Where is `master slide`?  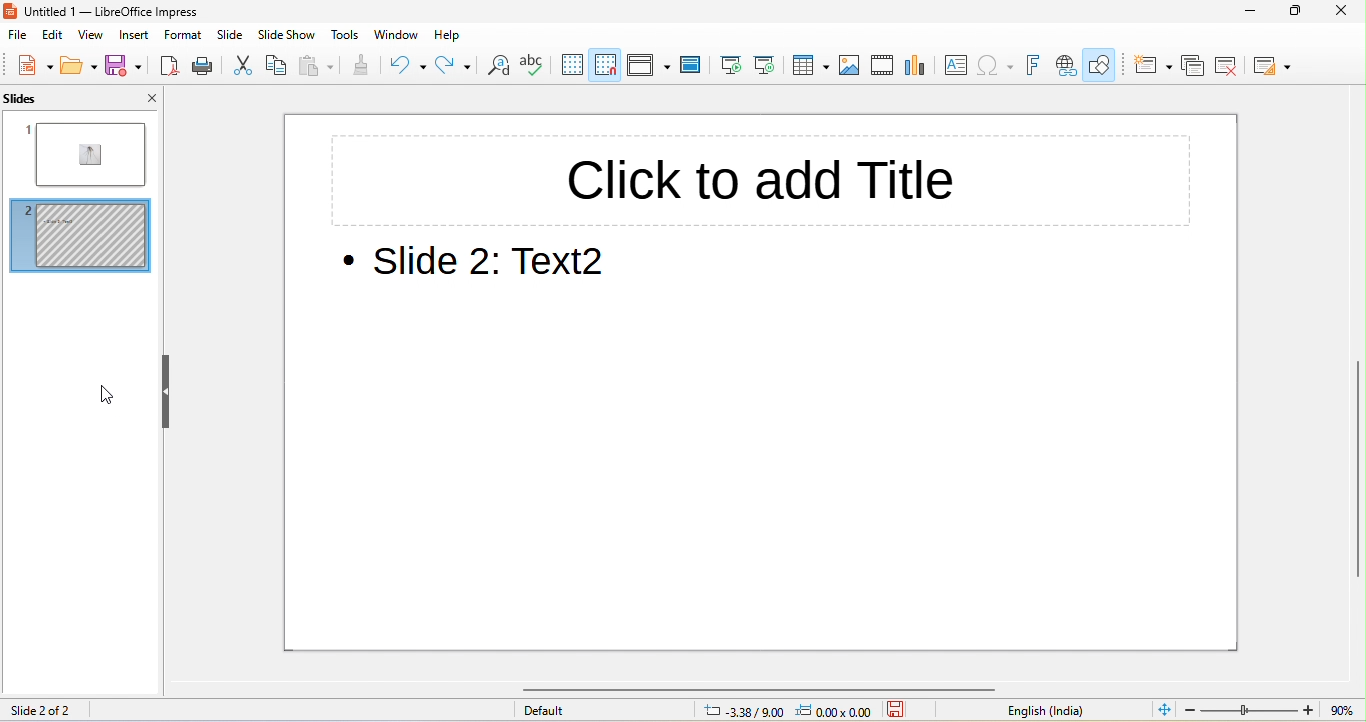 master slide is located at coordinates (691, 66).